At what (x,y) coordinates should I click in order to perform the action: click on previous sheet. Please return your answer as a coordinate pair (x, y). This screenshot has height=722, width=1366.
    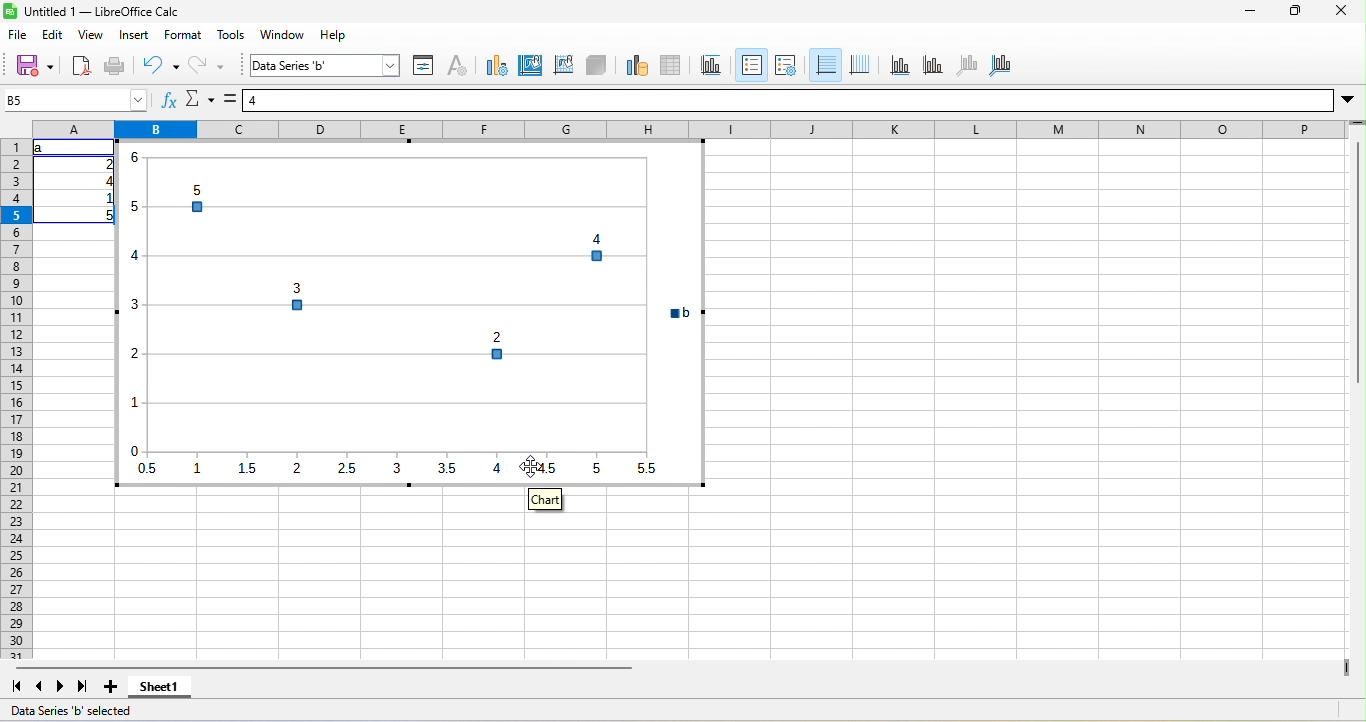
    Looking at the image, I should click on (40, 686).